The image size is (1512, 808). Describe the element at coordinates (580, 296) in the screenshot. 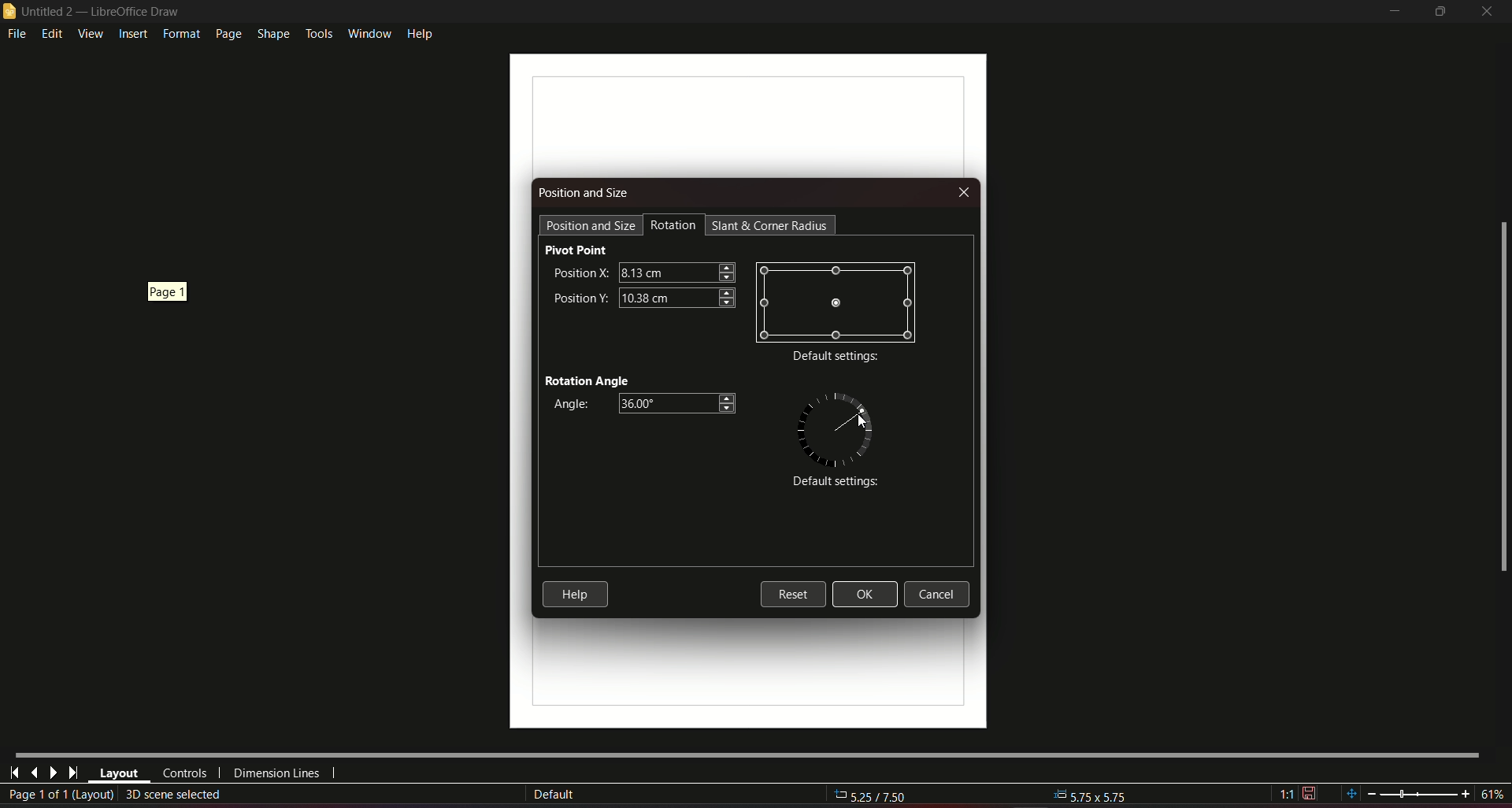

I see `Position Y` at that location.